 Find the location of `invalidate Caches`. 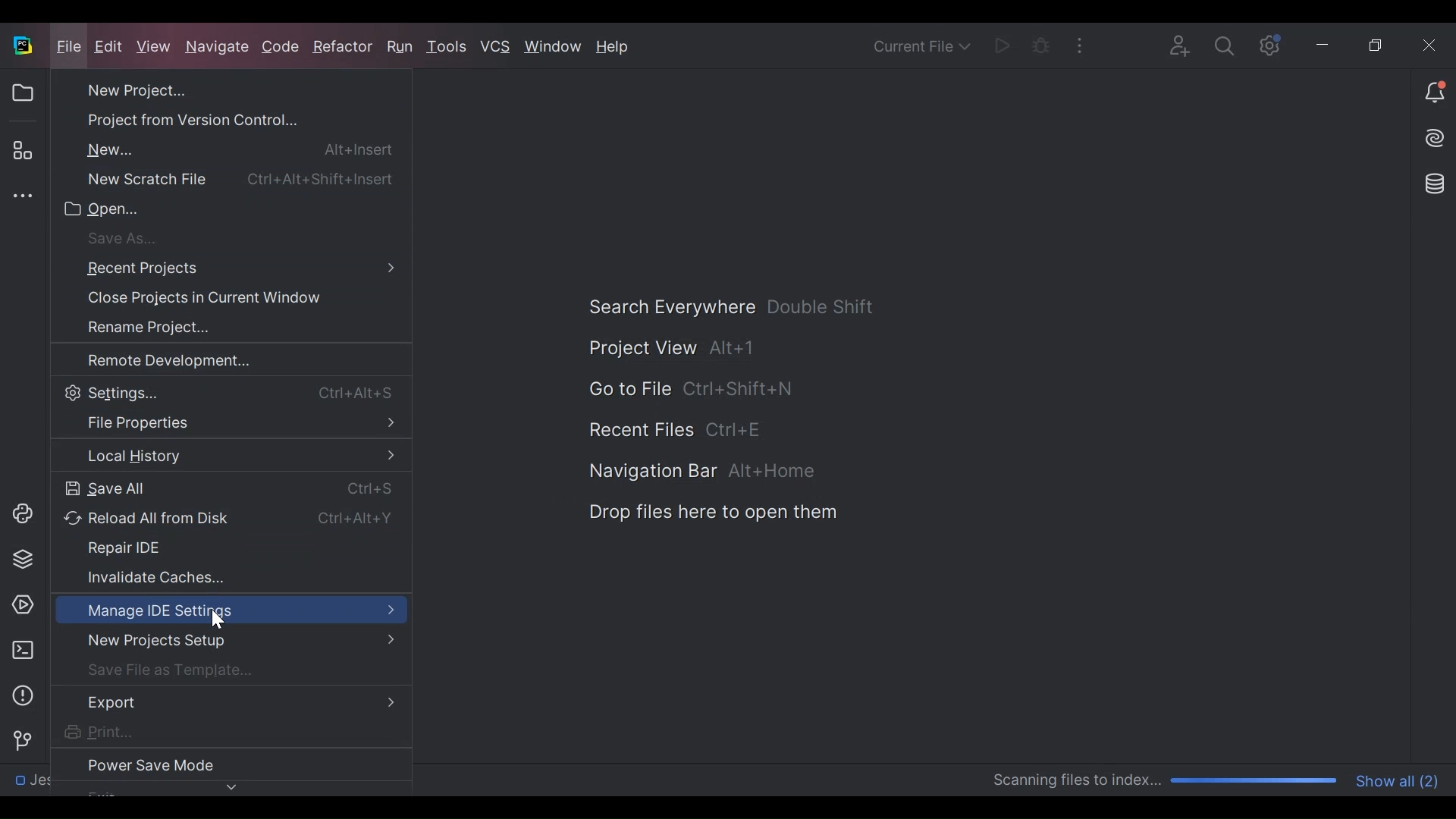

invalidate Caches is located at coordinates (209, 576).